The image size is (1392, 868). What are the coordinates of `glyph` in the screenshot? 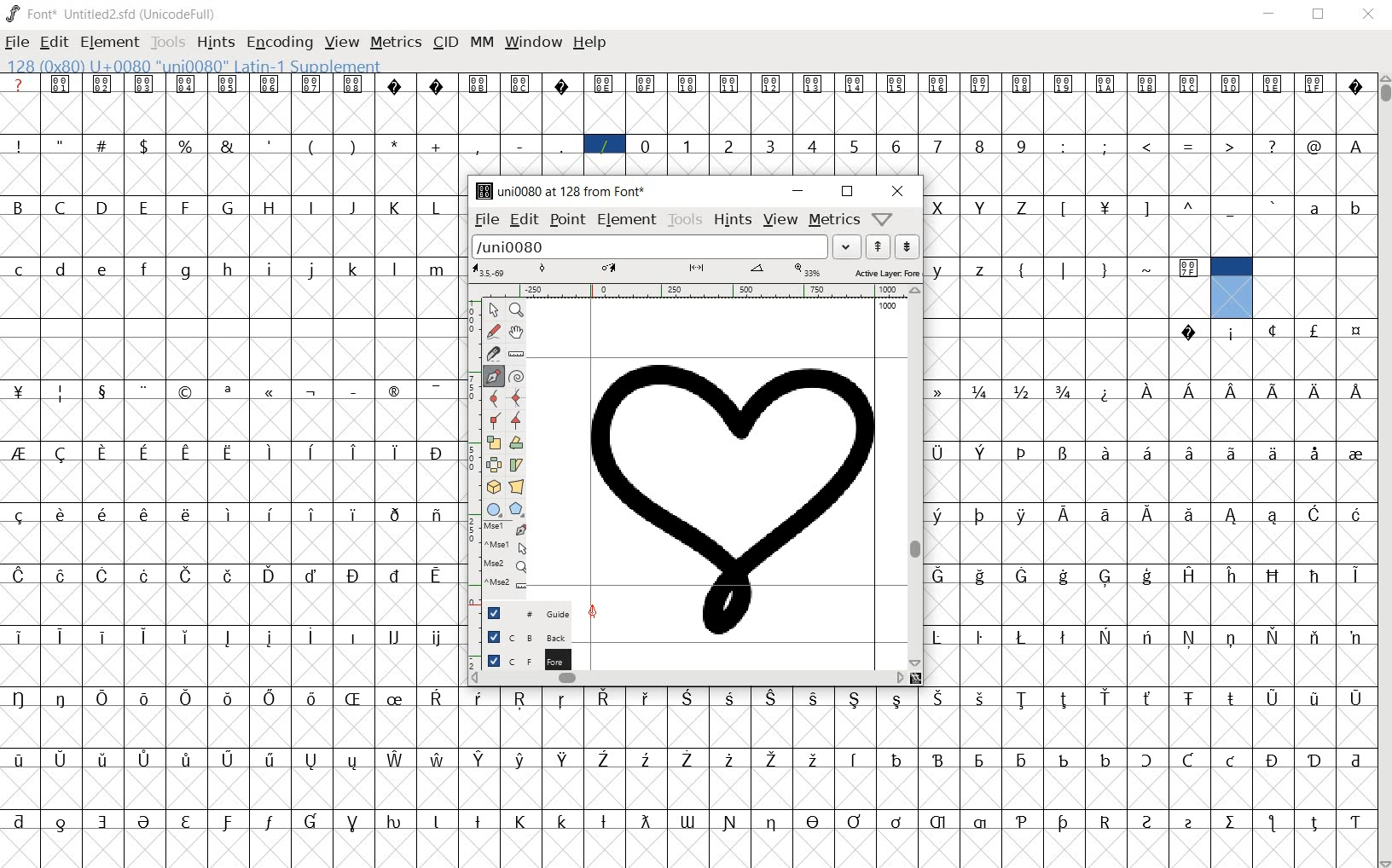 It's located at (1024, 453).